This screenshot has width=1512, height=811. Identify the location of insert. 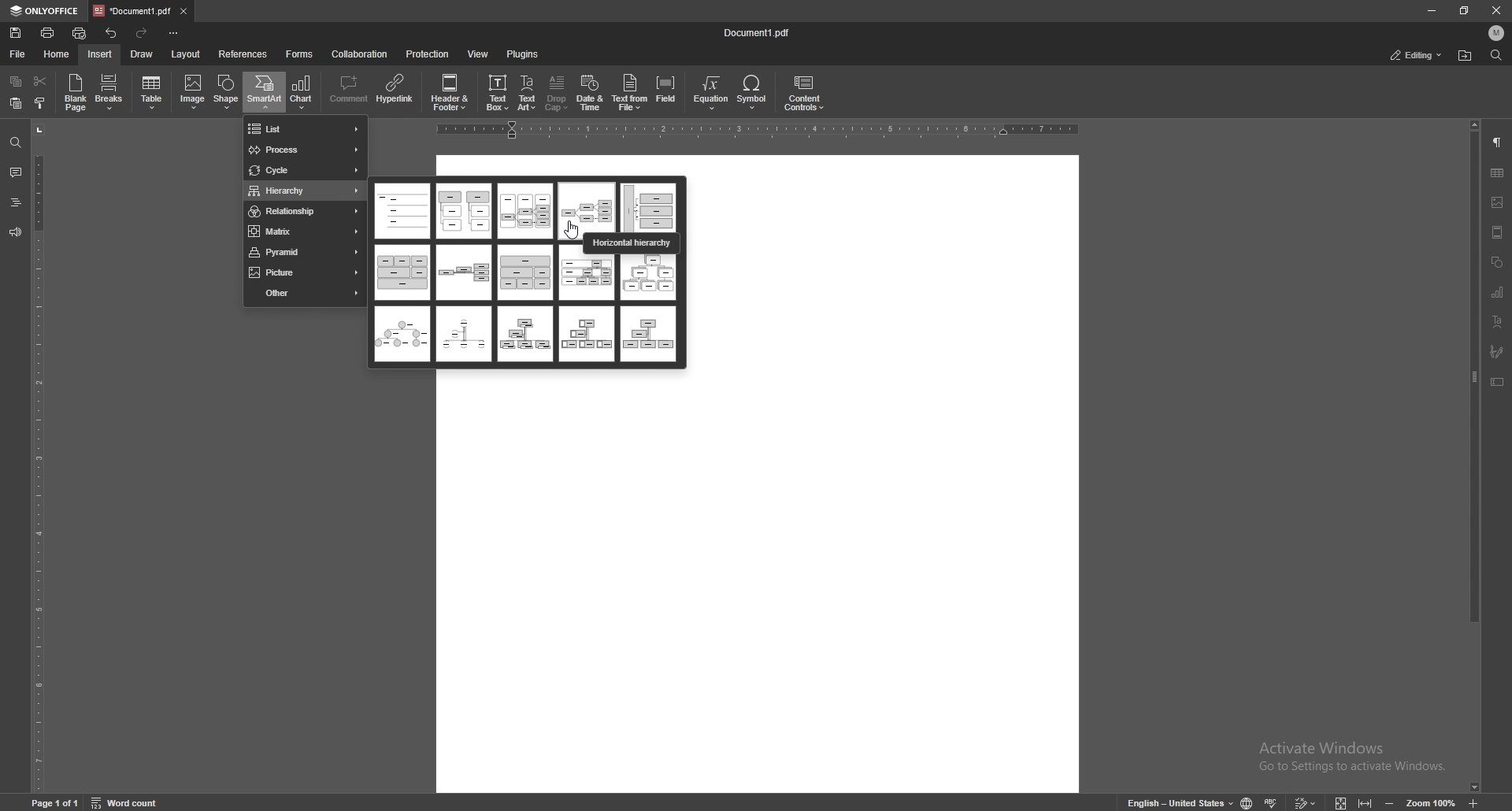
(100, 54).